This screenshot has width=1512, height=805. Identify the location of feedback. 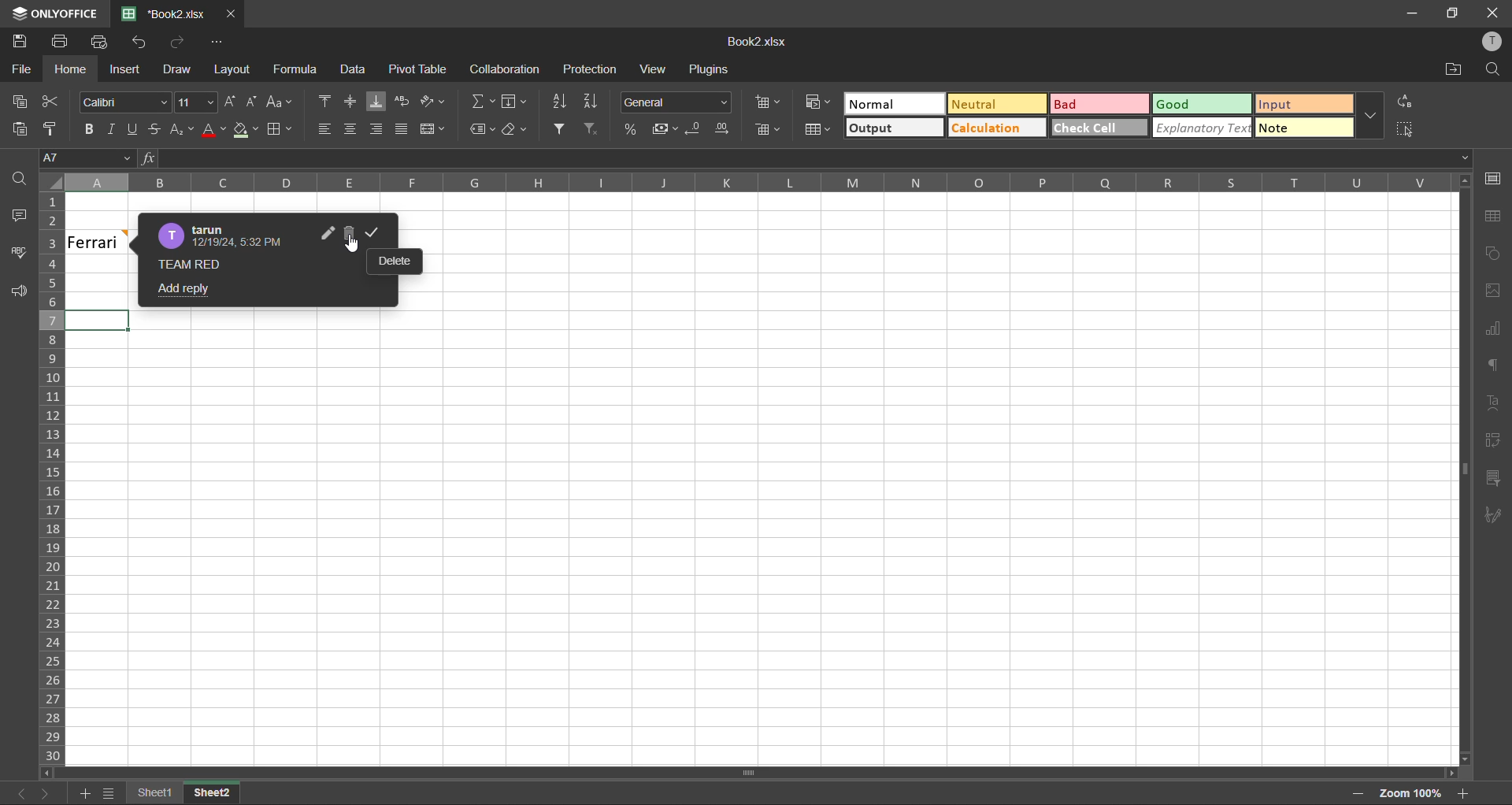
(25, 292).